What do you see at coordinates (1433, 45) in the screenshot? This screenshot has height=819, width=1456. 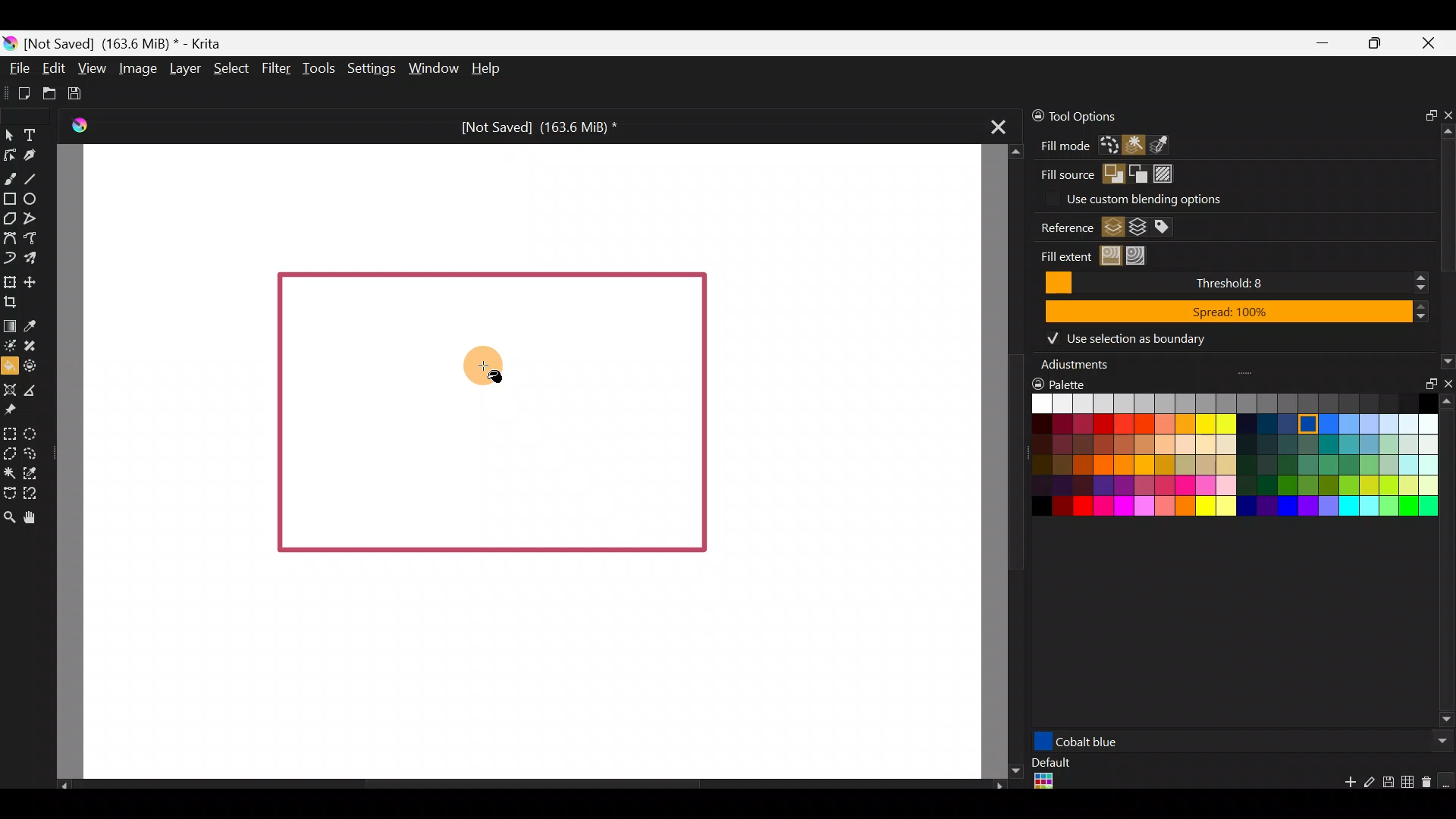 I see `Close` at bounding box center [1433, 45].